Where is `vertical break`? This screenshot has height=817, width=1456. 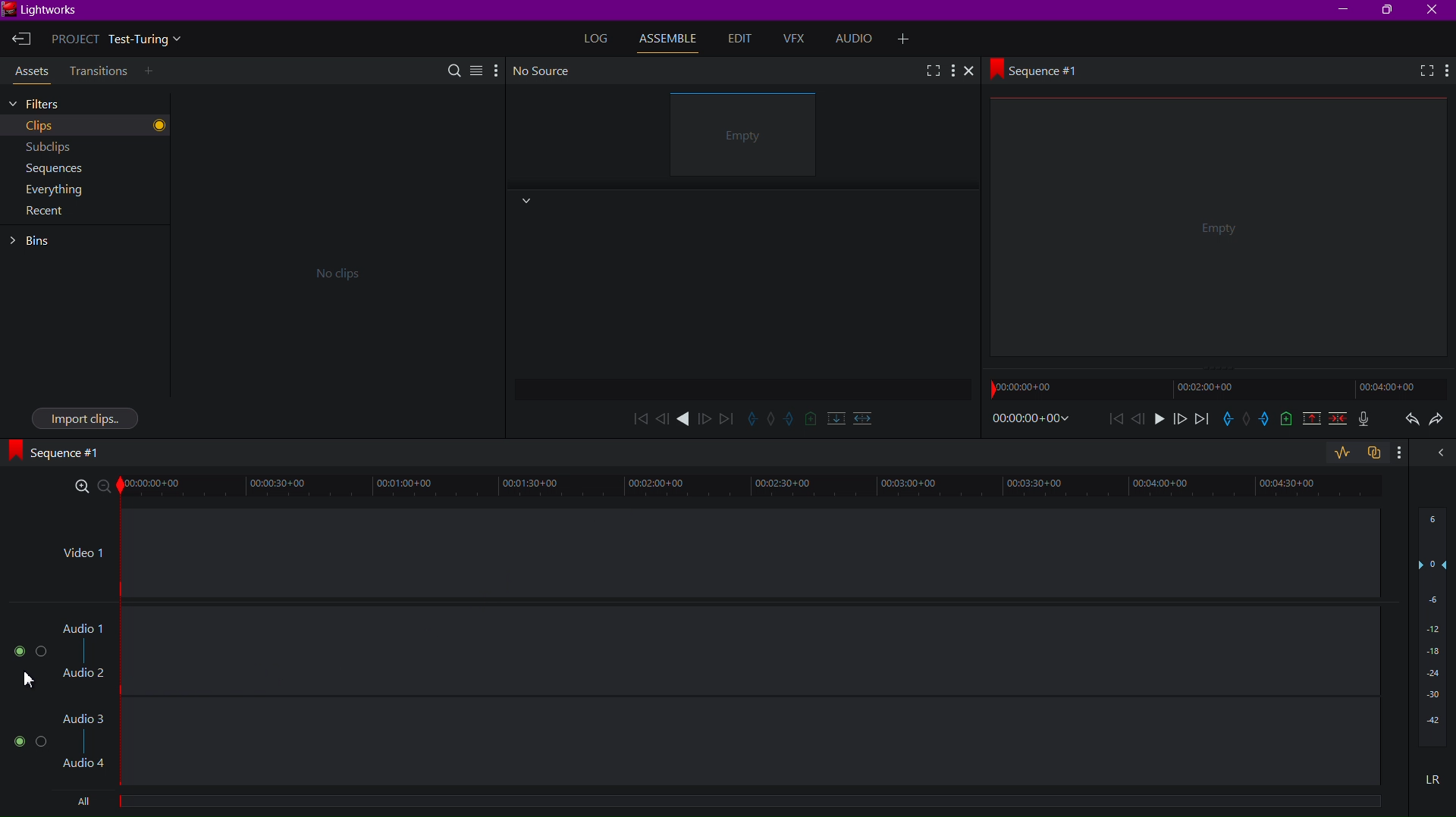 vertical break is located at coordinates (833, 418).